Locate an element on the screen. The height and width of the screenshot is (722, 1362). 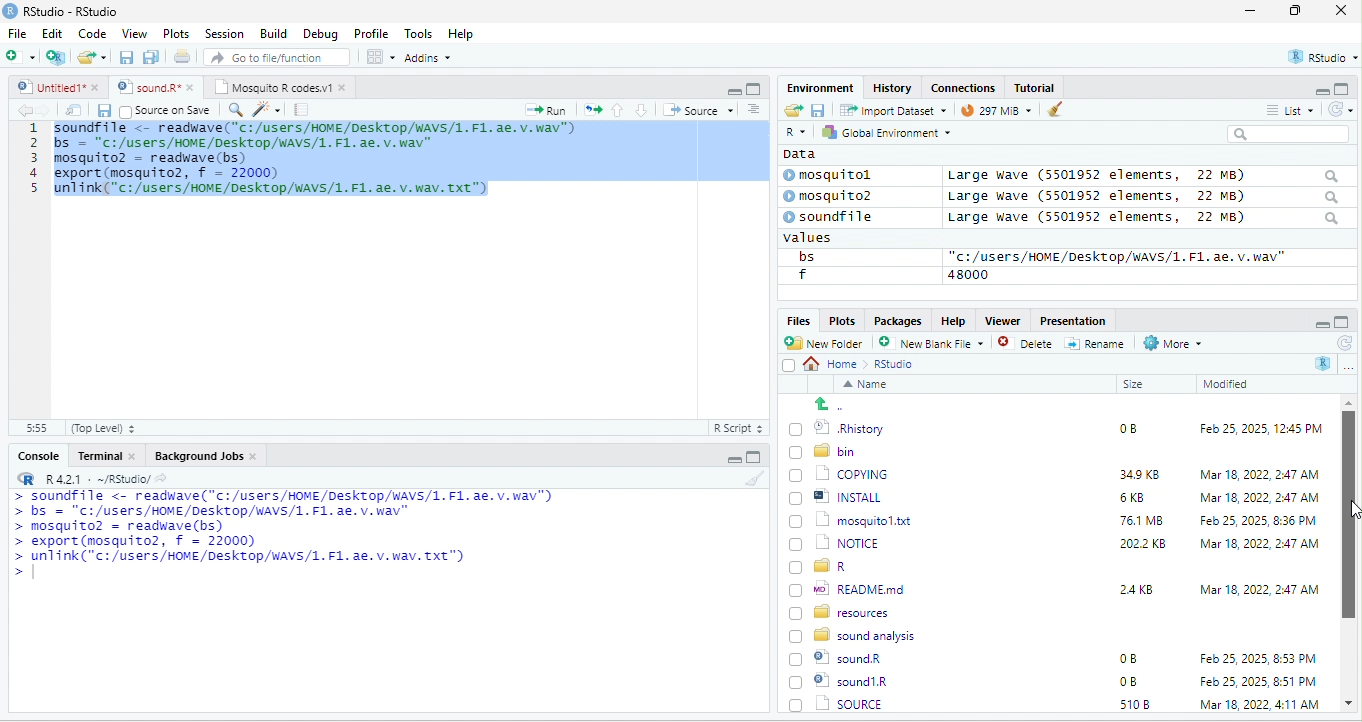
save is located at coordinates (128, 58).